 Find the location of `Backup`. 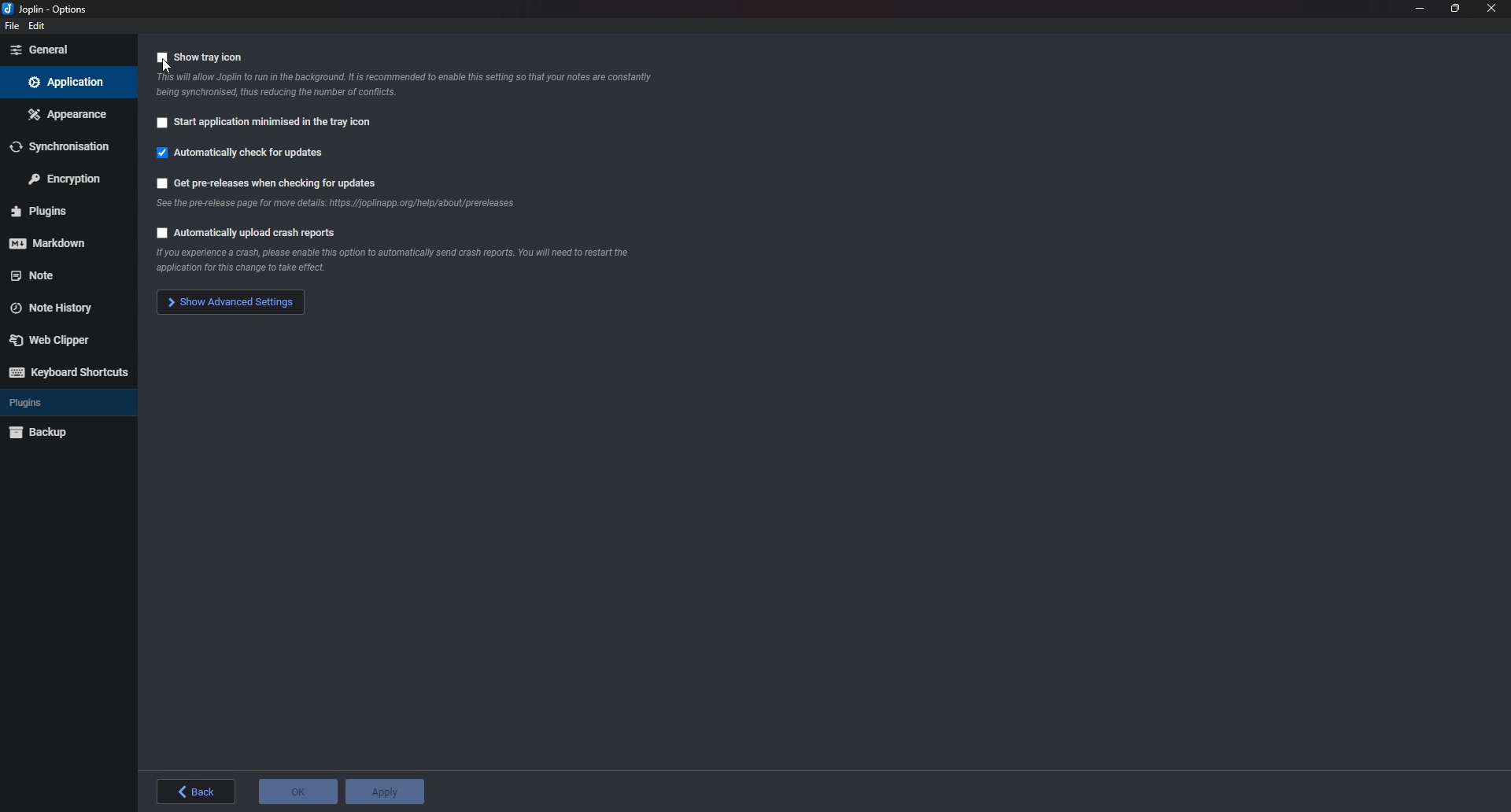

Backup is located at coordinates (53, 434).